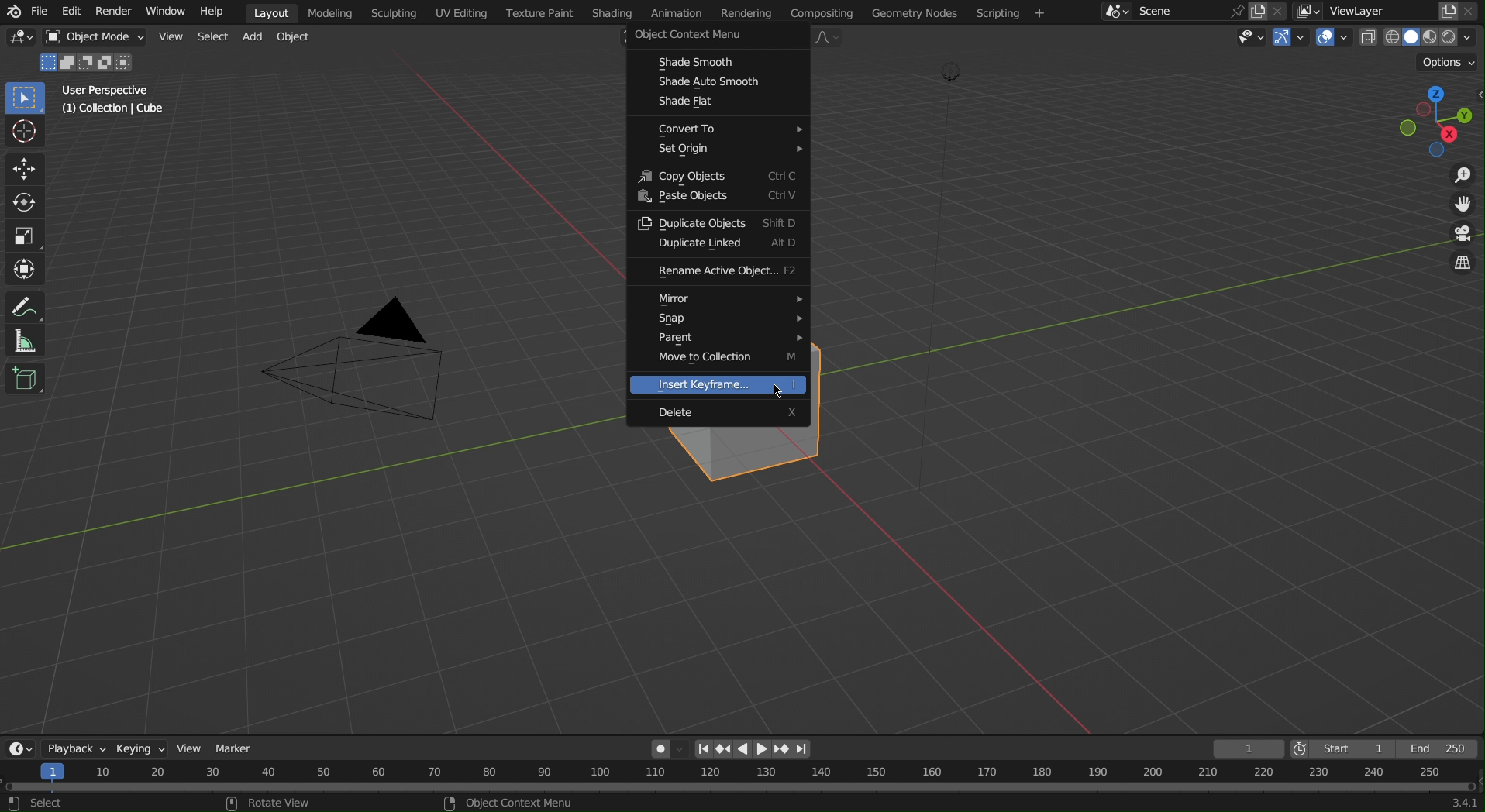 Image resolution: width=1485 pixels, height=812 pixels. I want to click on Rotate, so click(24, 205).